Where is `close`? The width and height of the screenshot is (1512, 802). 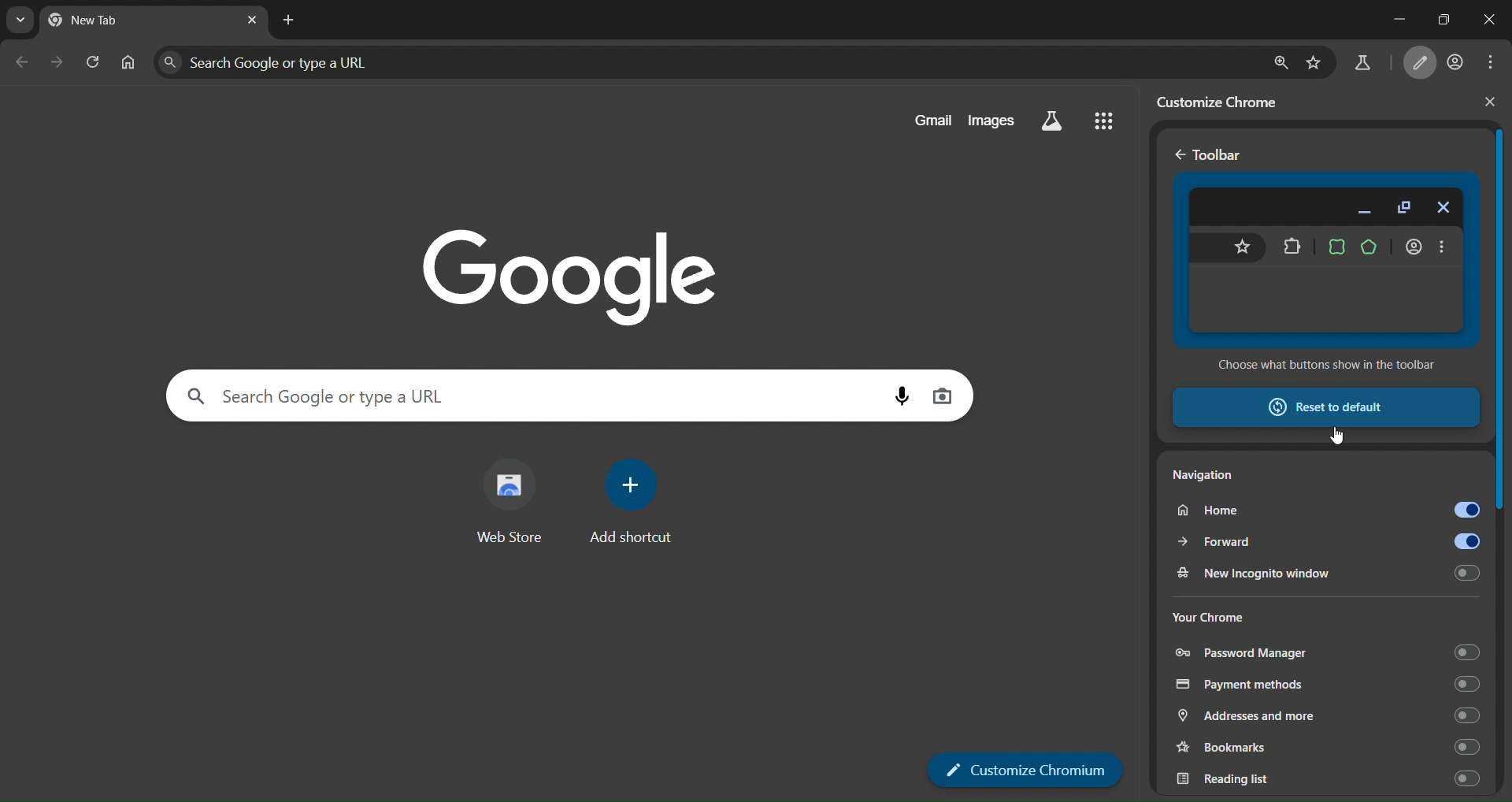
close is located at coordinates (1491, 22).